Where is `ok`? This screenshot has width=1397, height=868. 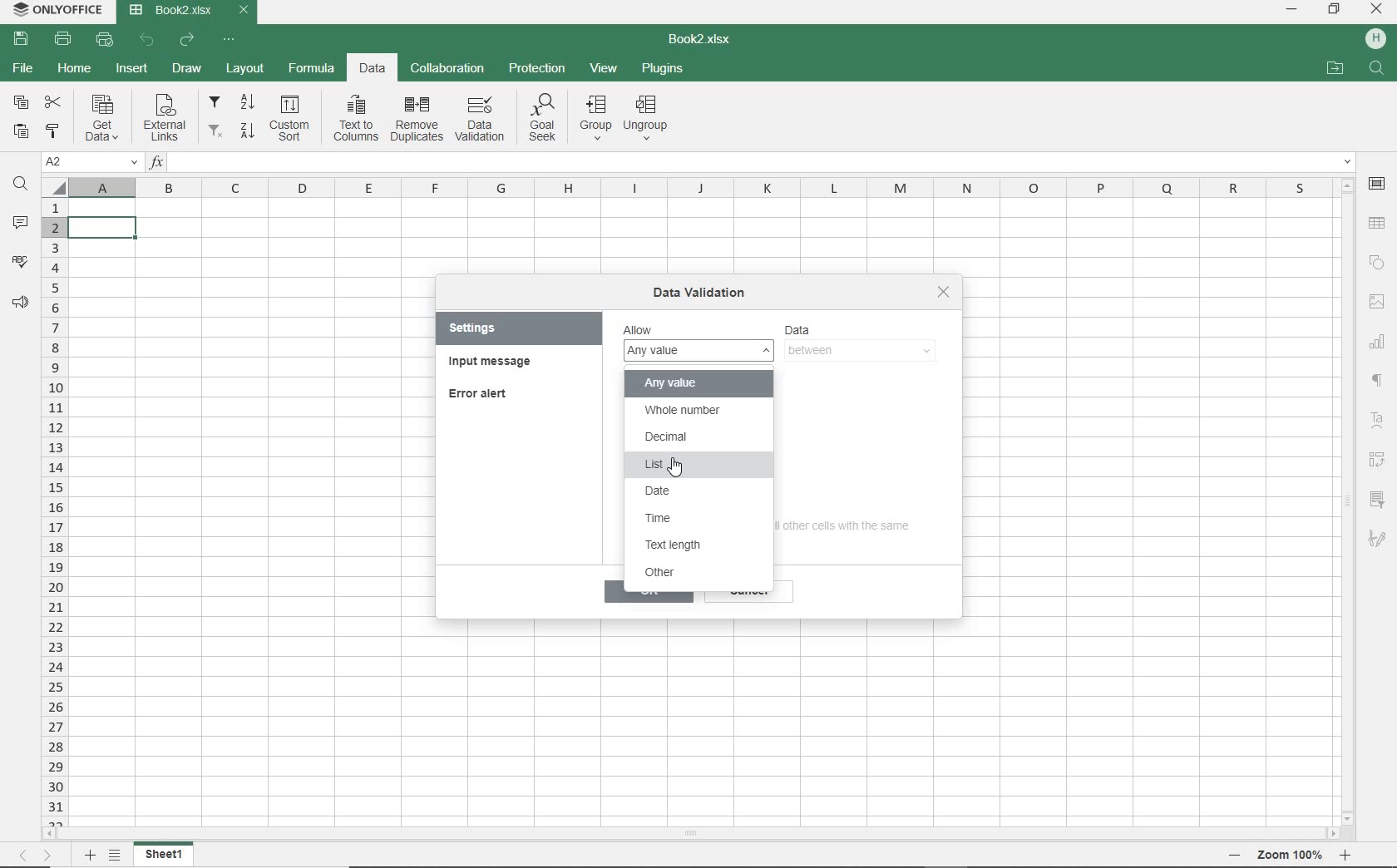 ok is located at coordinates (649, 598).